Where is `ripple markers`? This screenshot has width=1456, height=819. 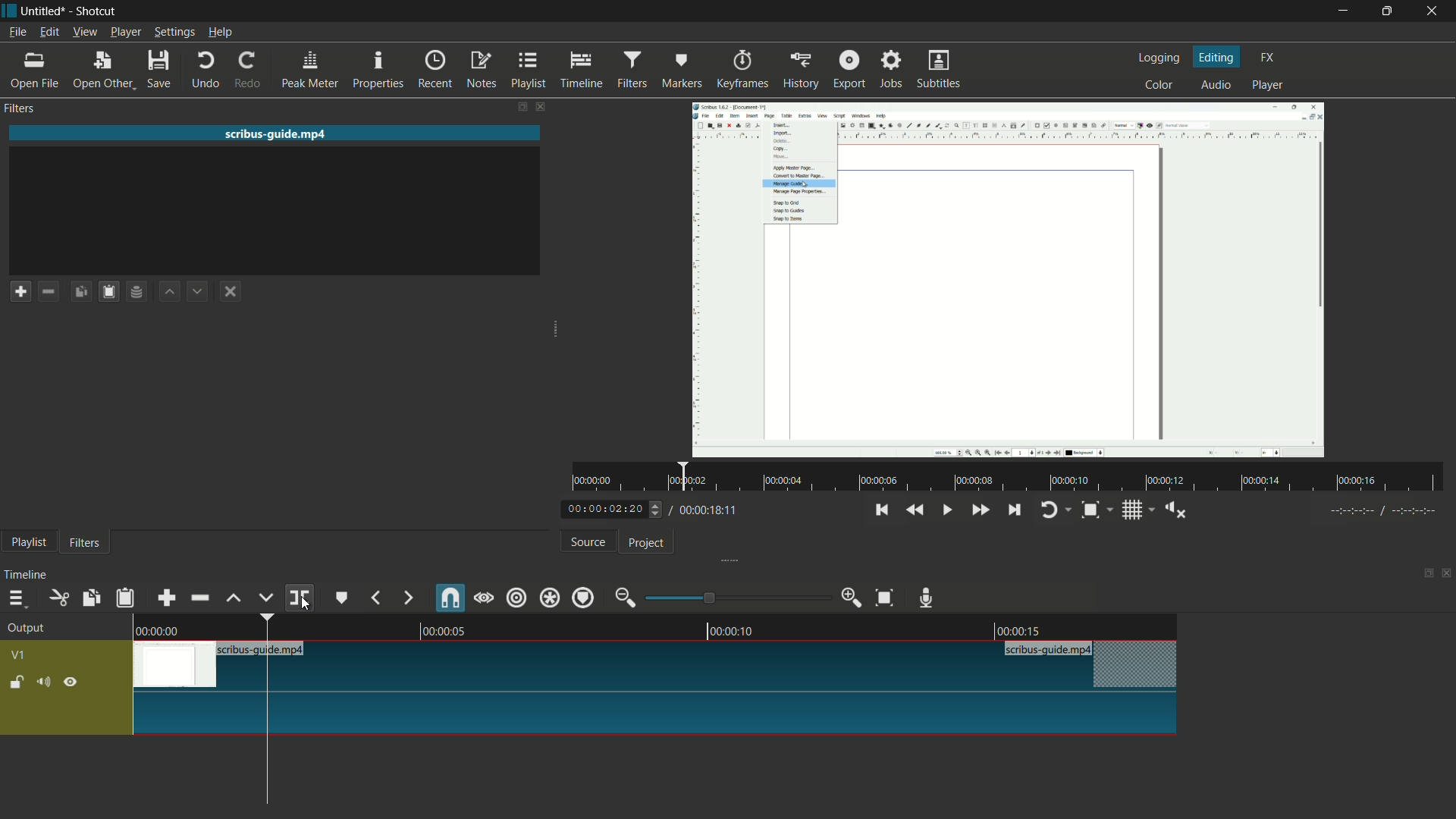
ripple markers is located at coordinates (584, 597).